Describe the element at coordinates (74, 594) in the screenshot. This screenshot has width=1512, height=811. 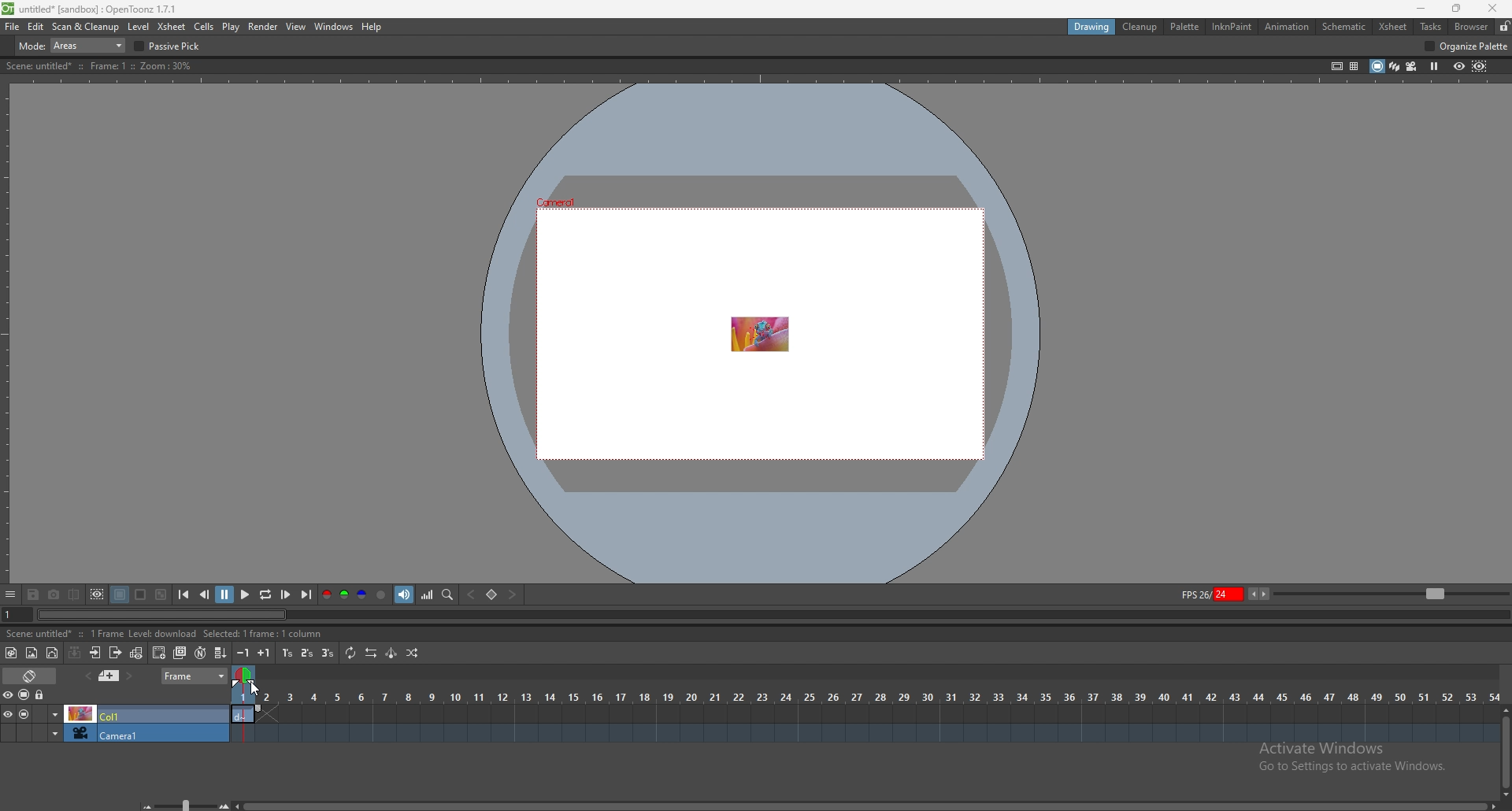
I see `compare to snapshot` at that location.